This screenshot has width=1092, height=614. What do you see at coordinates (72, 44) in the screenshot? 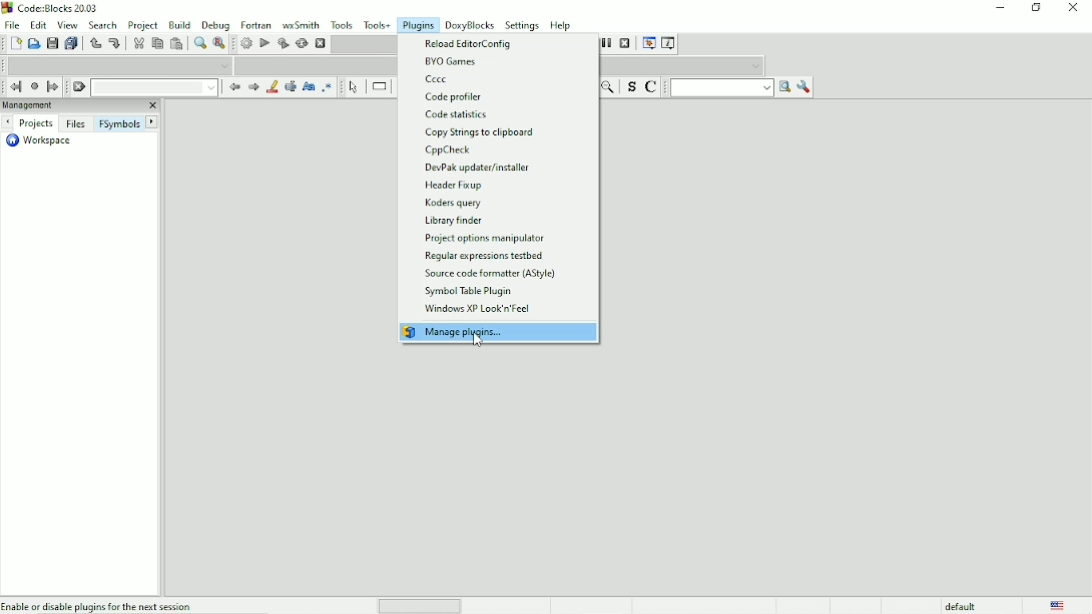
I see `Save everything` at bounding box center [72, 44].